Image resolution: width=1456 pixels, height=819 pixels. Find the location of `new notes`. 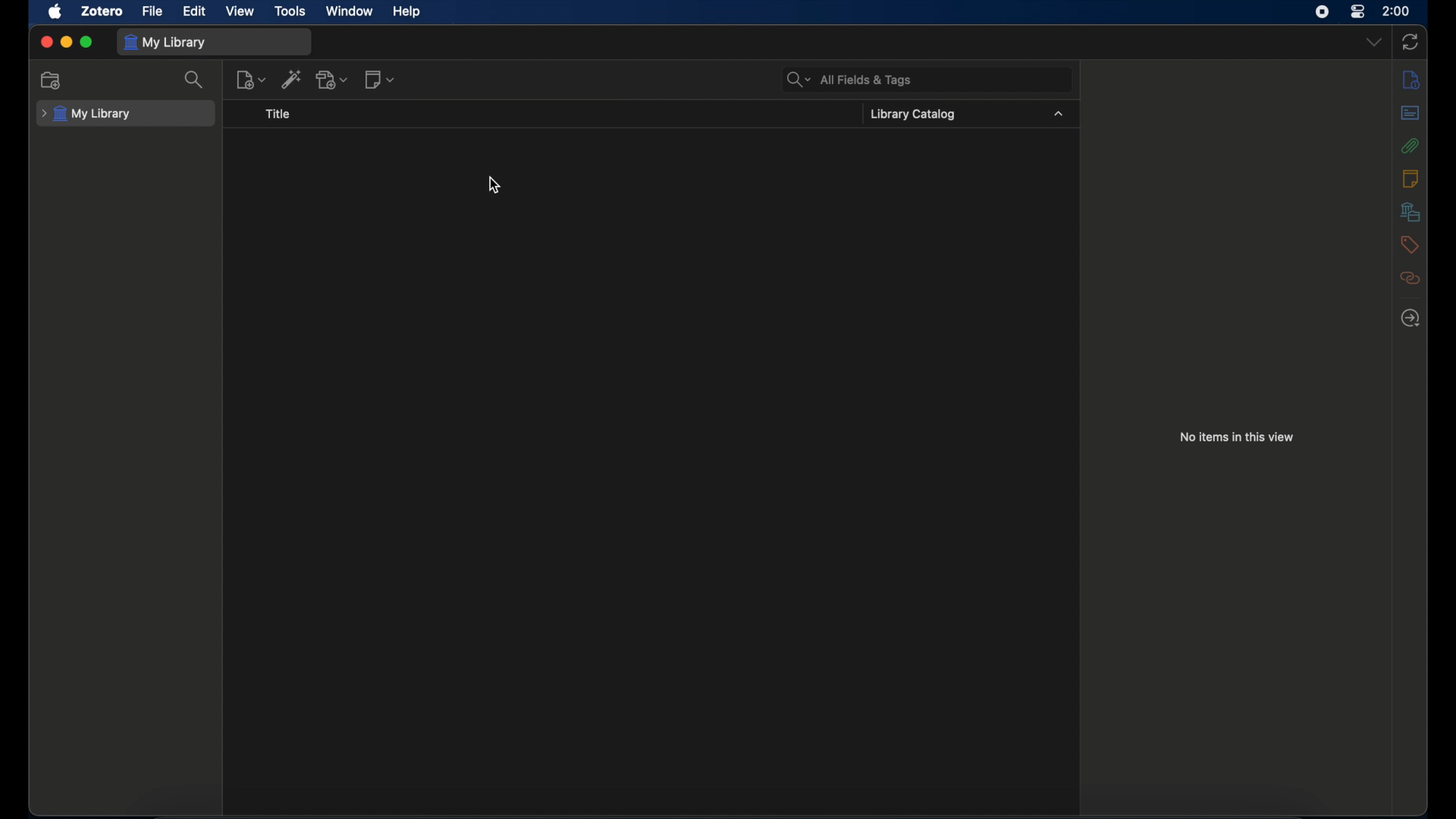

new notes is located at coordinates (381, 80).